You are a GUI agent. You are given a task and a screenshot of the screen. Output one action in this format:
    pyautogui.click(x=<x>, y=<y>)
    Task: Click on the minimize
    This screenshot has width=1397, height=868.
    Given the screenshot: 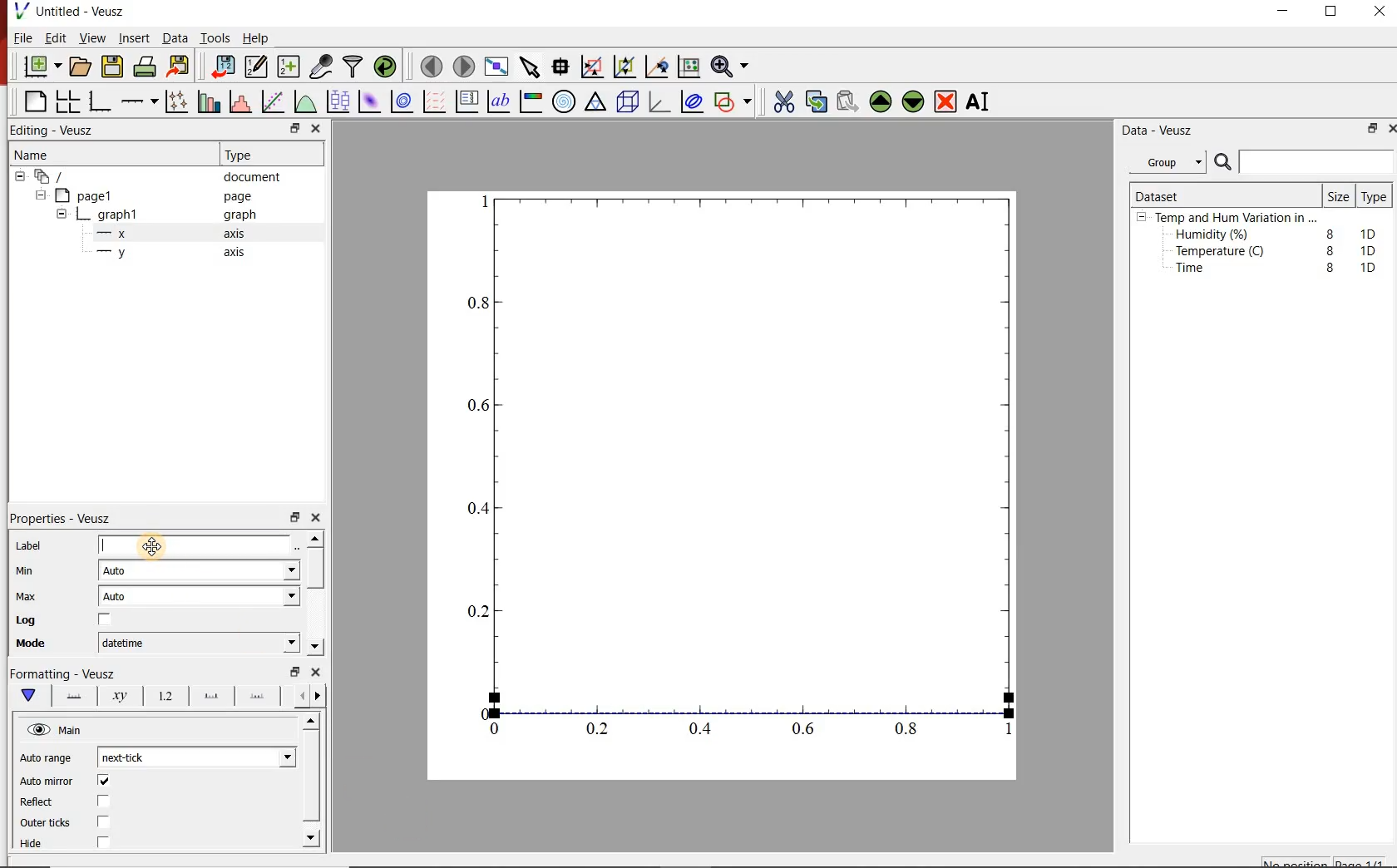 What is the action you would take?
    pyautogui.click(x=1289, y=12)
    